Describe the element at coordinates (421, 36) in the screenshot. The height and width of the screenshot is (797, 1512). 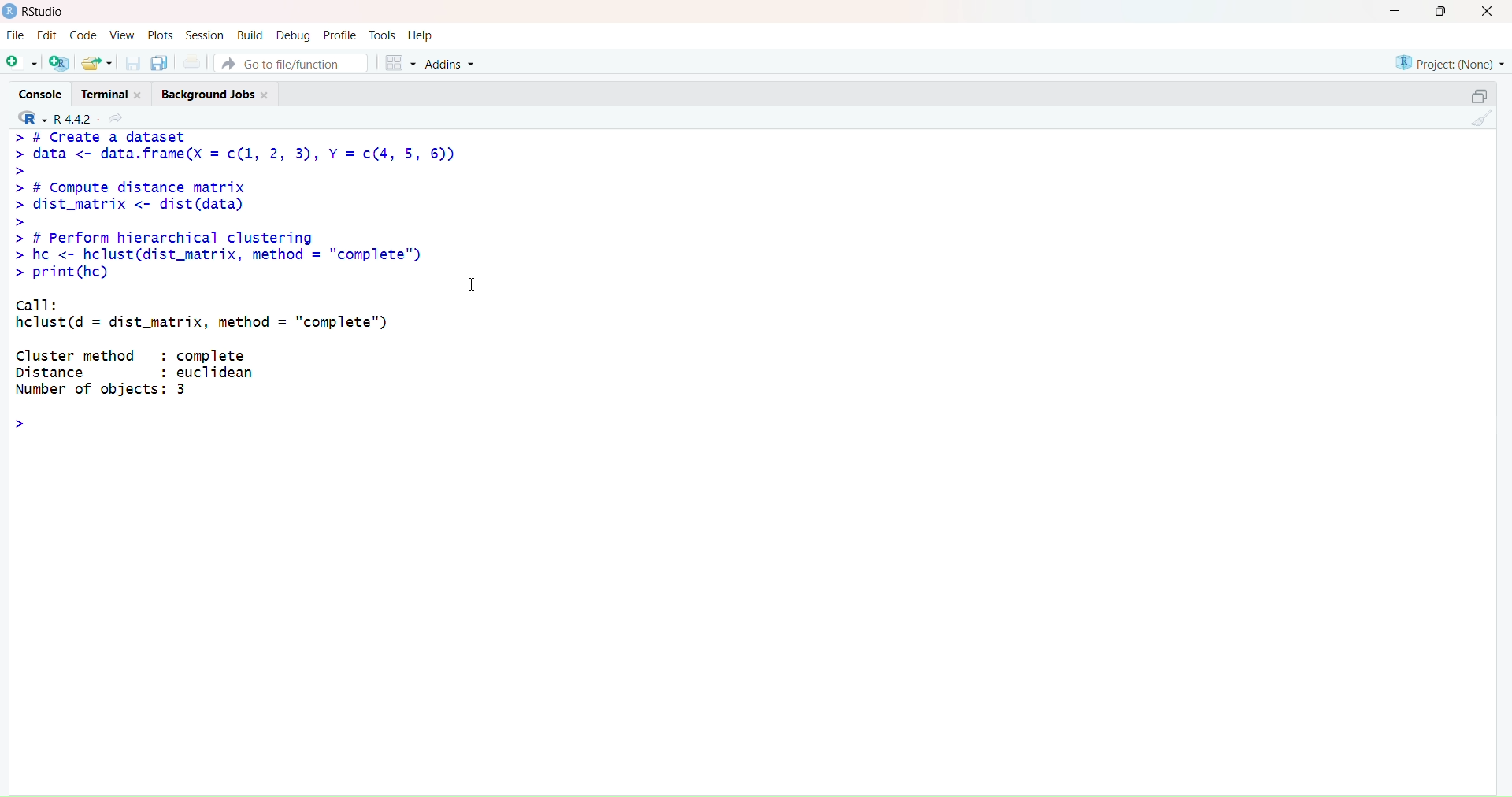
I see `Help` at that location.